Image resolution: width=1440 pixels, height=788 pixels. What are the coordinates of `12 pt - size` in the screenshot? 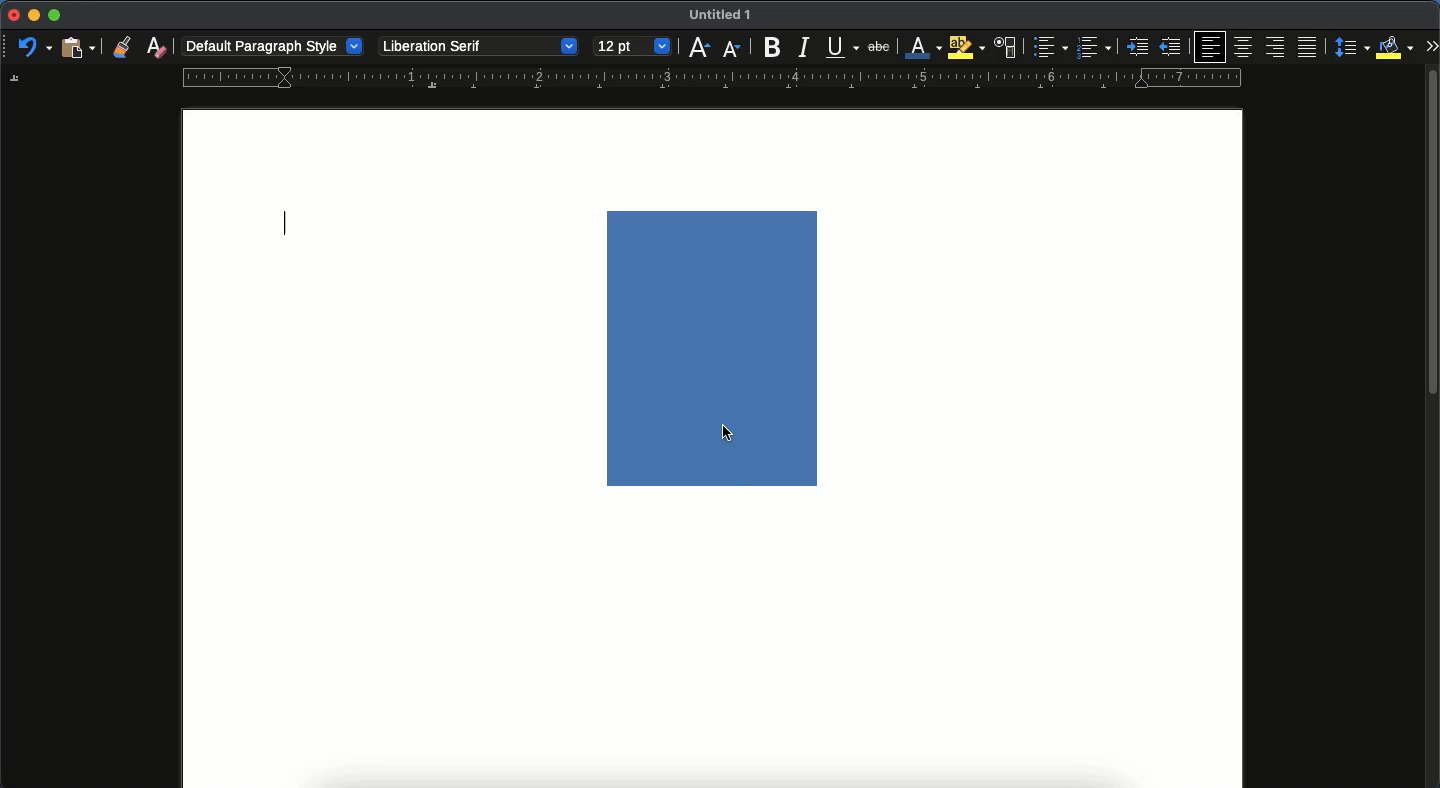 It's located at (629, 46).